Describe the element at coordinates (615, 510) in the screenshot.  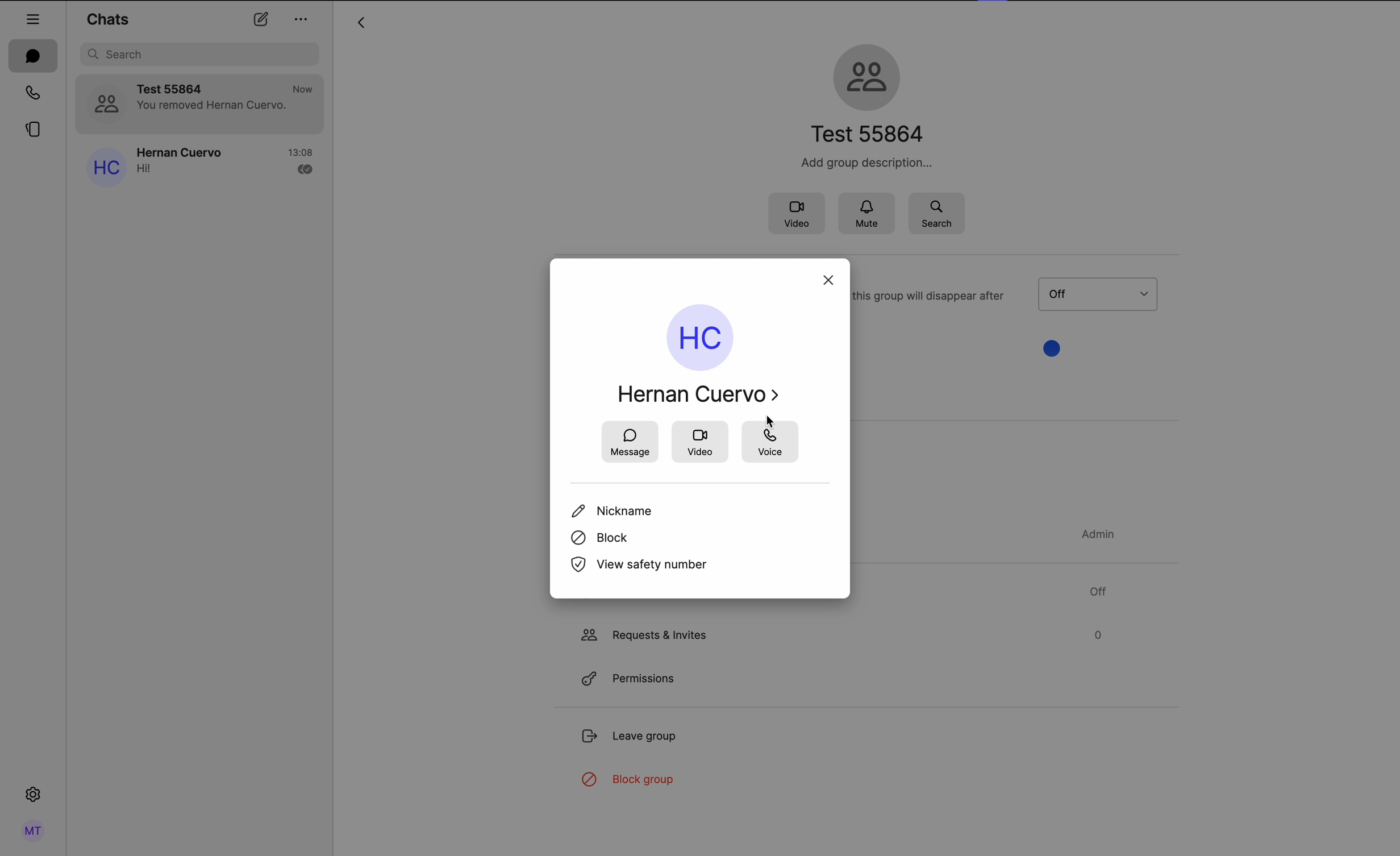
I see `nickname` at that location.